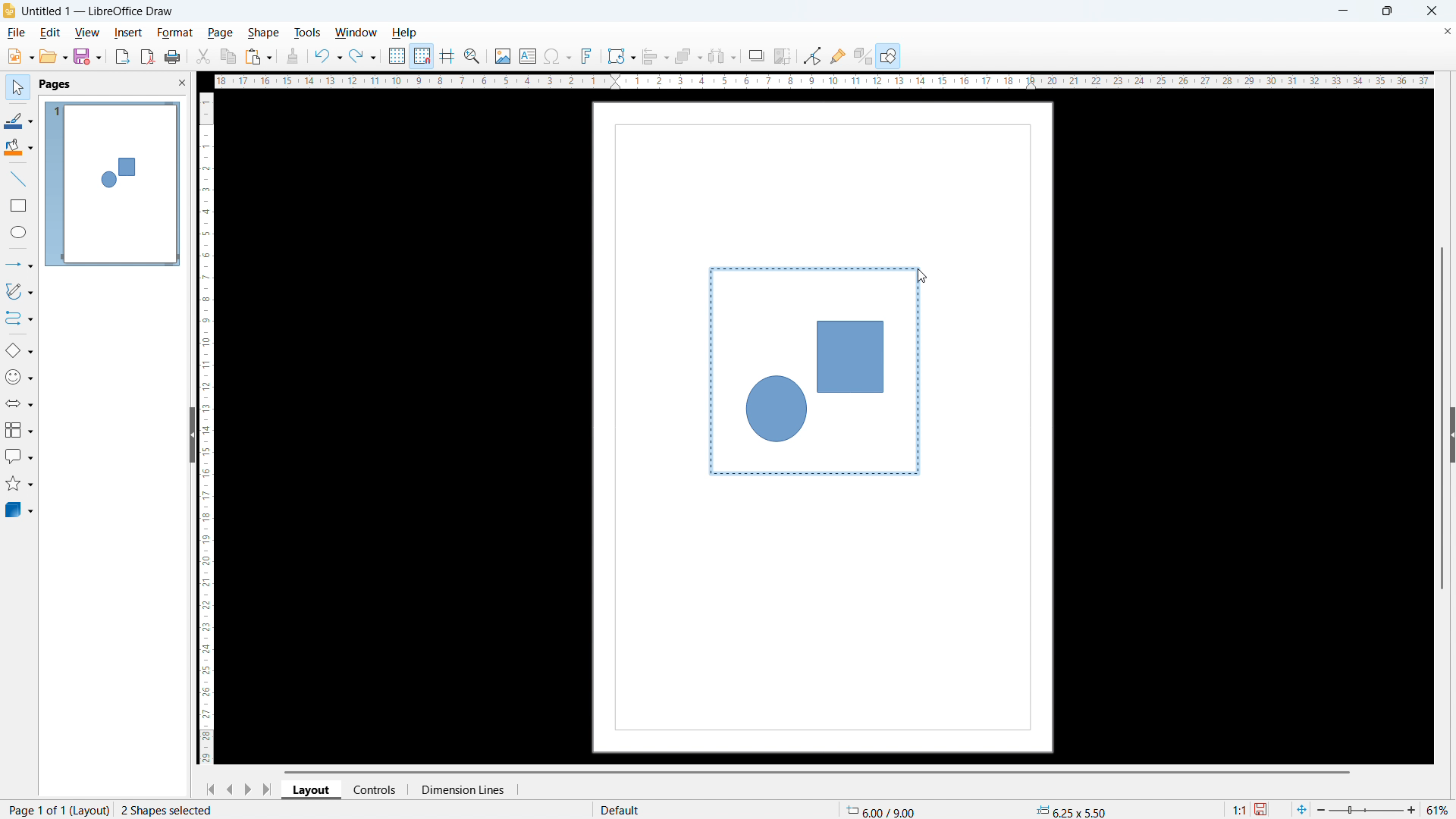 Image resolution: width=1456 pixels, height=819 pixels. I want to click on page display, so click(115, 184).